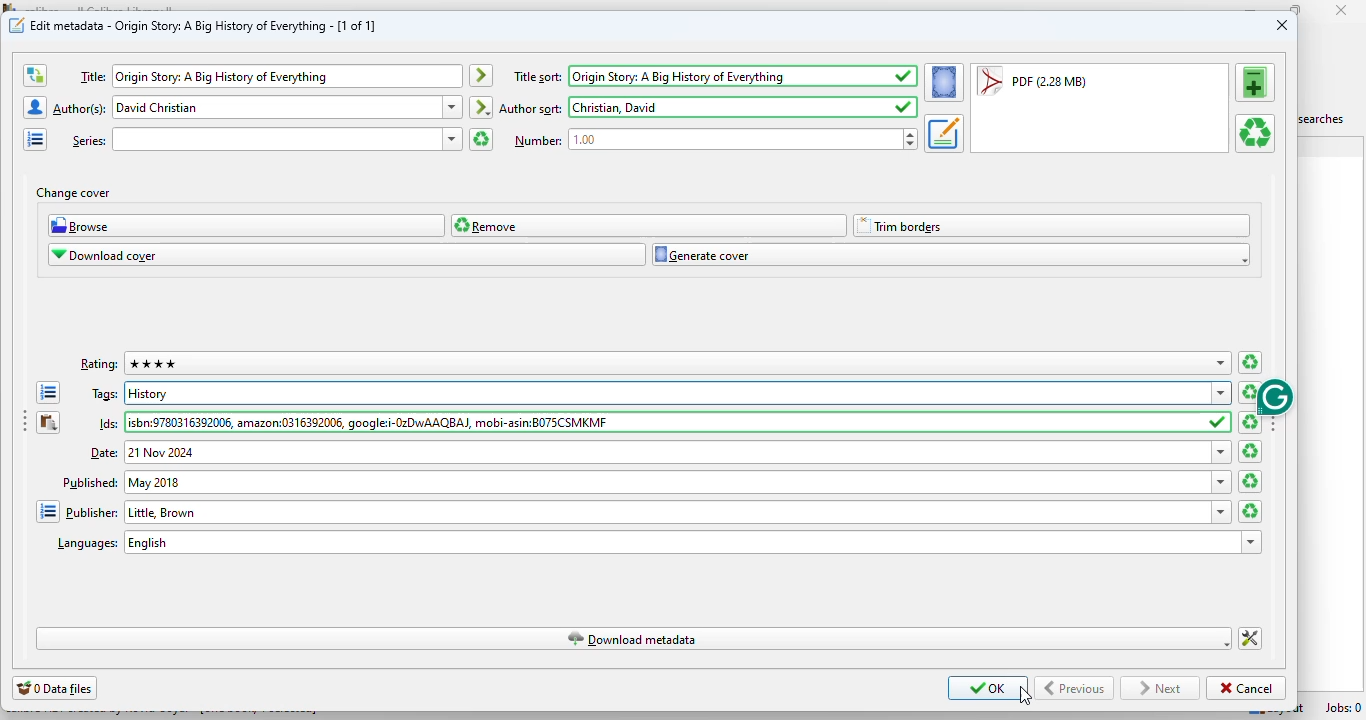 This screenshot has width=1366, height=720. I want to click on PDF (2.28 MB), so click(1032, 82).